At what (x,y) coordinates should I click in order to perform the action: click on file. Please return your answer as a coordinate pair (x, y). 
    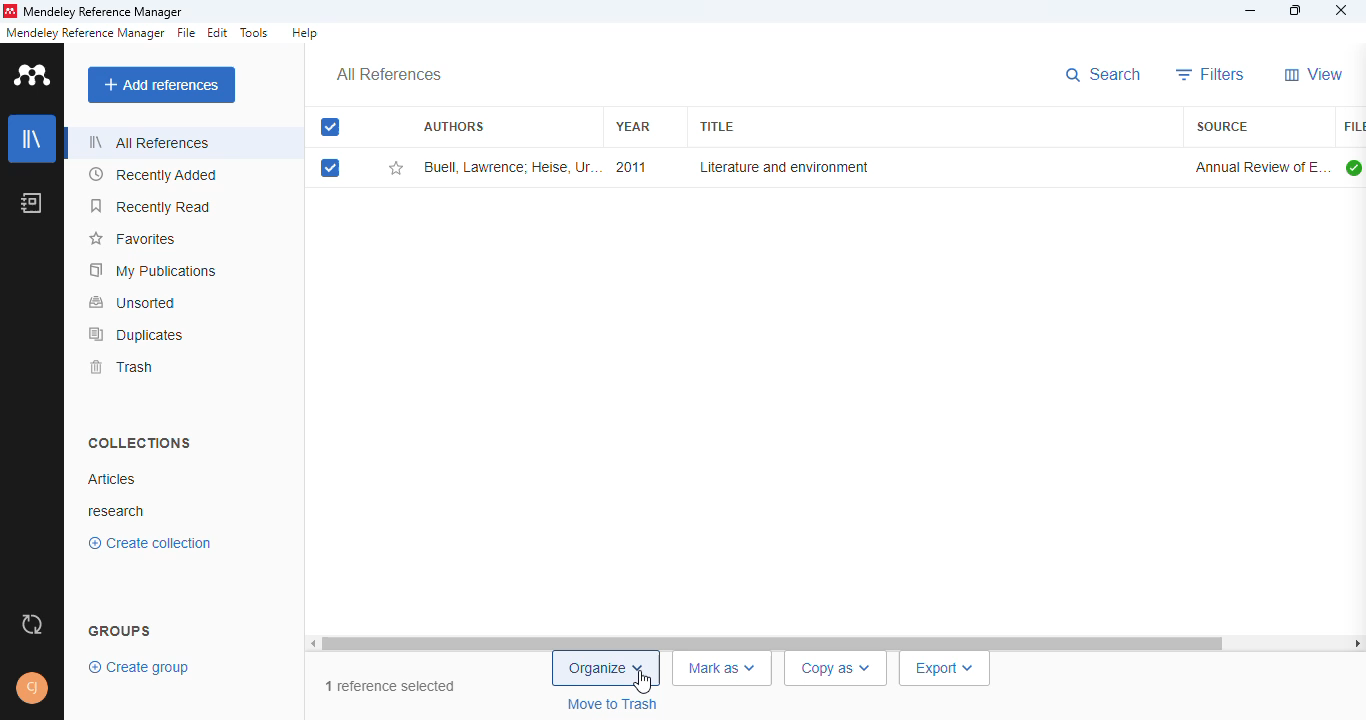
    Looking at the image, I should click on (185, 33).